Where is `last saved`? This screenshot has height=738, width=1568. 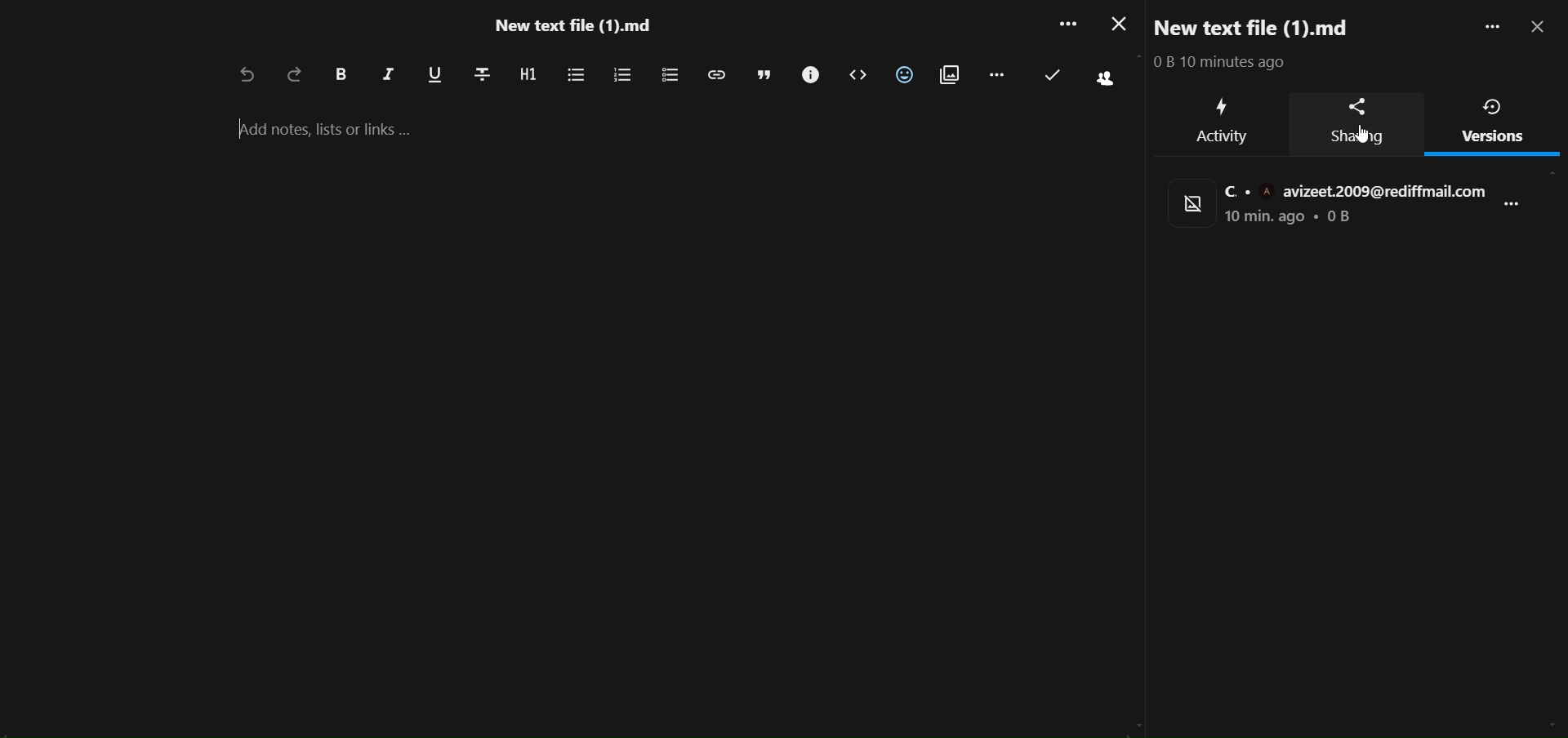 last saved is located at coordinates (1053, 75).